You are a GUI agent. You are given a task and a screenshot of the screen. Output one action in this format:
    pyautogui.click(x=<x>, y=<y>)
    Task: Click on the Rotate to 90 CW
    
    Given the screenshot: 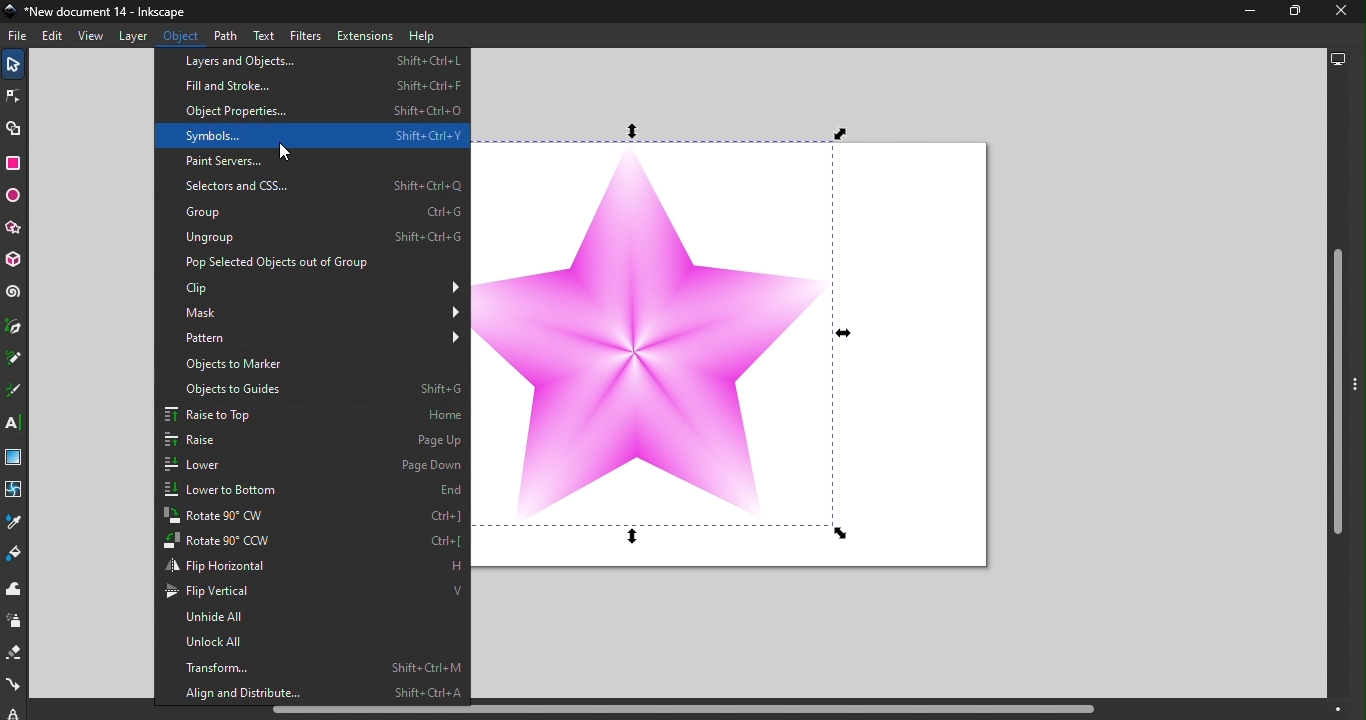 What is the action you would take?
    pyautogui.click(x=307, y=516)
    